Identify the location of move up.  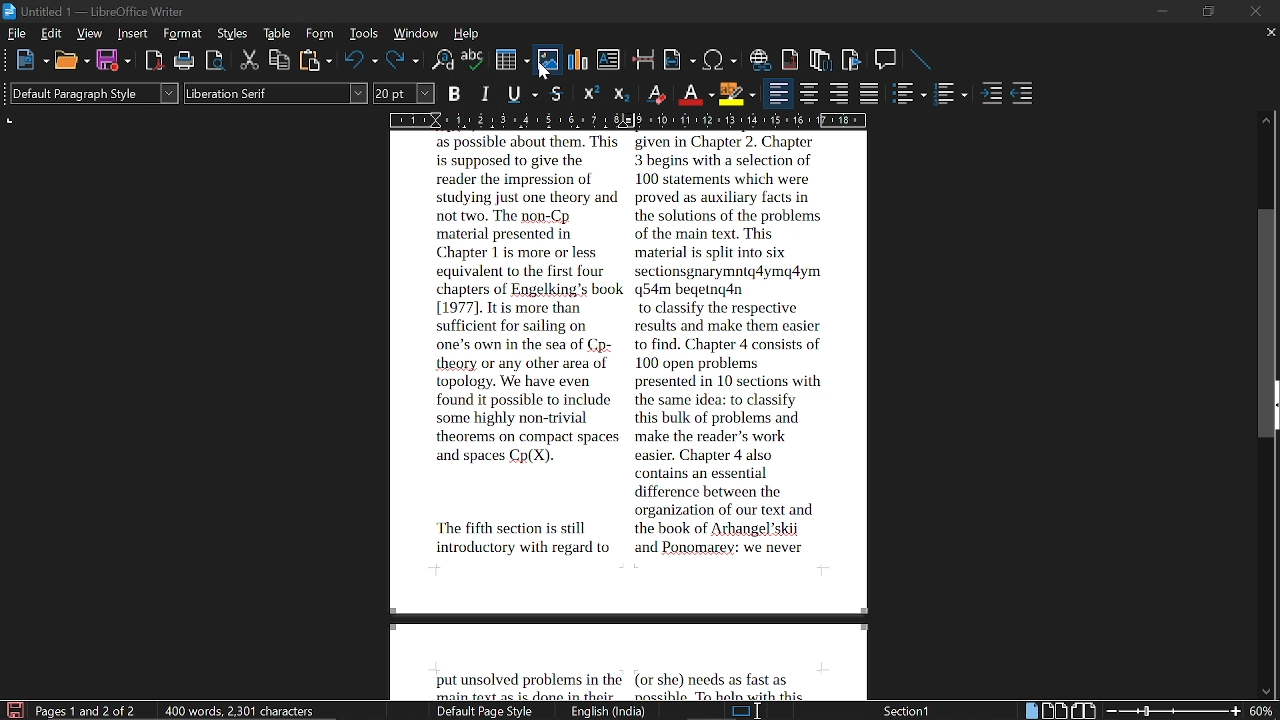
(1266, 121).